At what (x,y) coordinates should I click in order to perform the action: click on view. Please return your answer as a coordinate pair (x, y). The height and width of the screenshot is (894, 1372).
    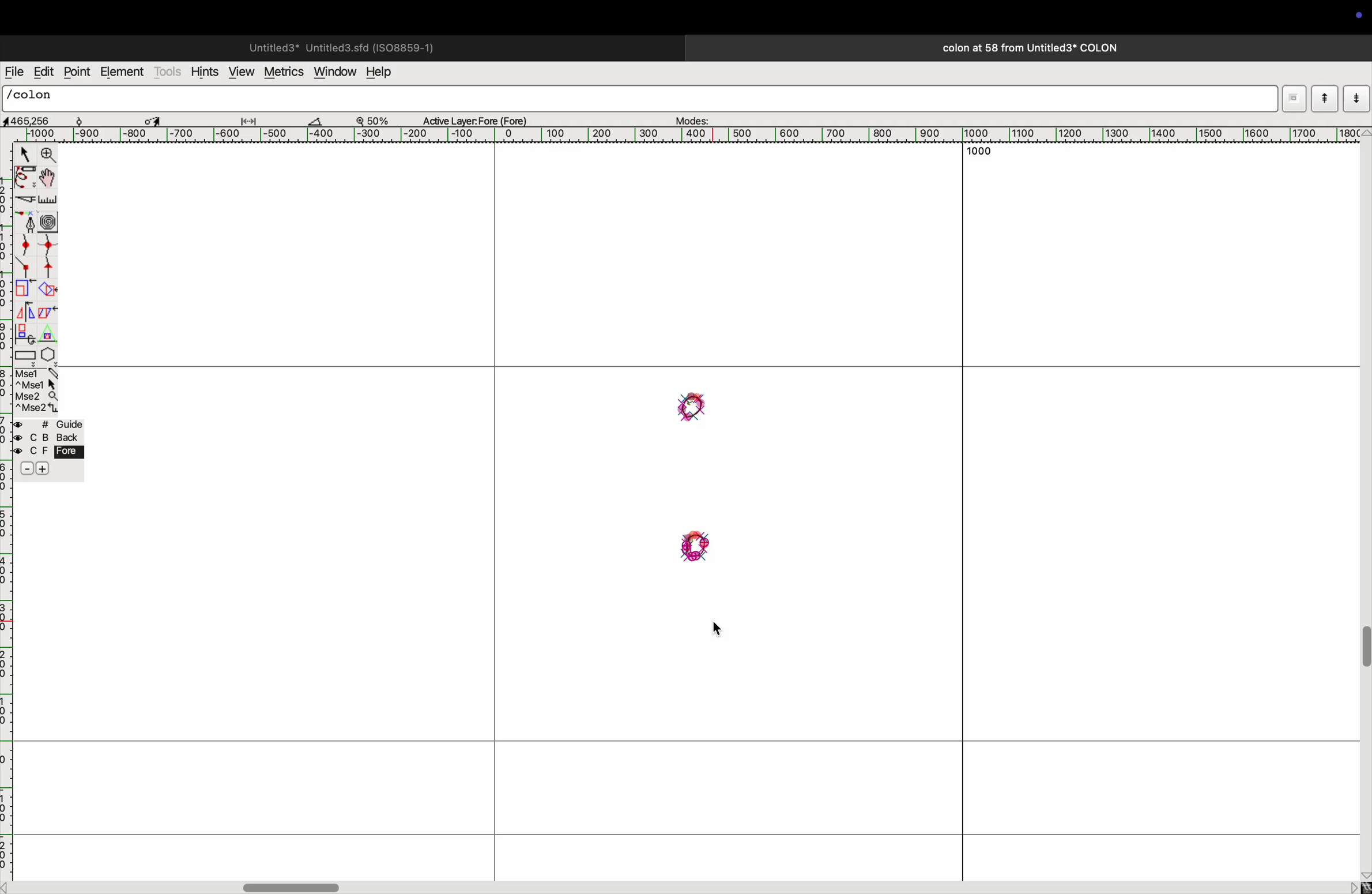
    Looking at the image, I should click on (240, 72).